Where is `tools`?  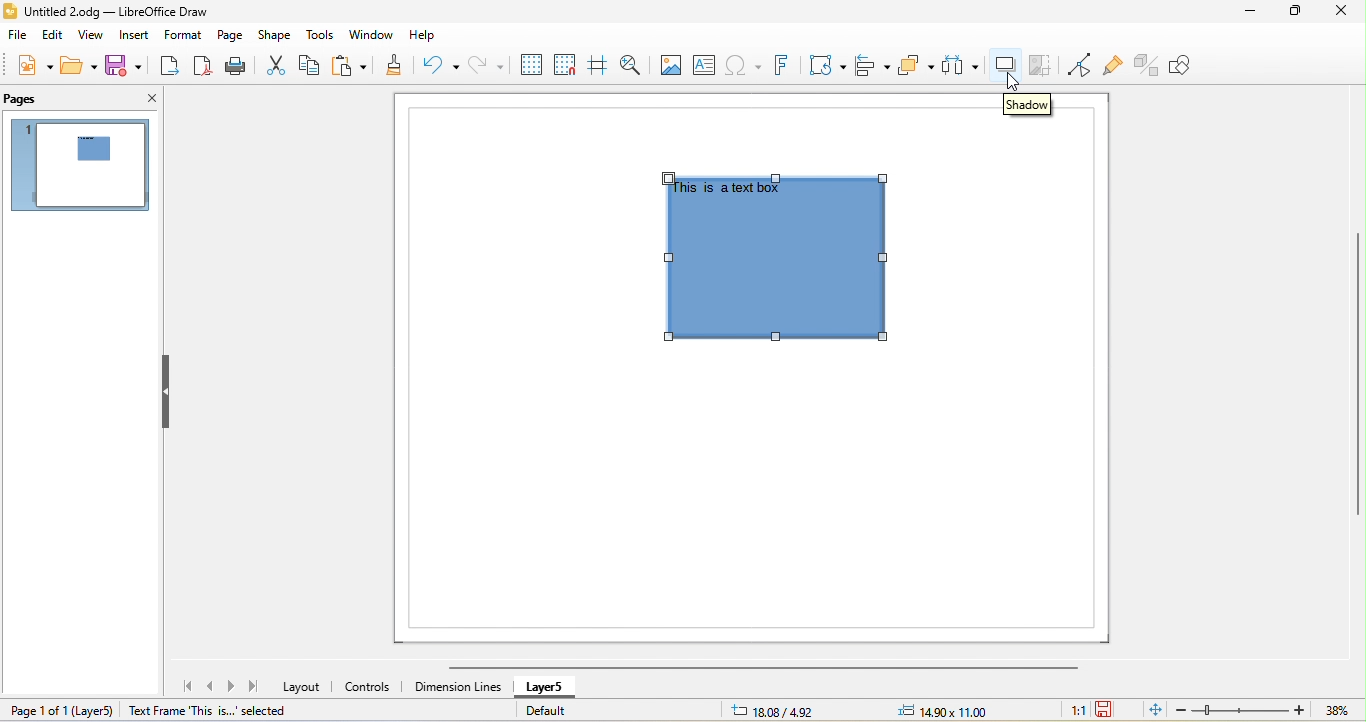
tools is located at coordinates (322, 36).